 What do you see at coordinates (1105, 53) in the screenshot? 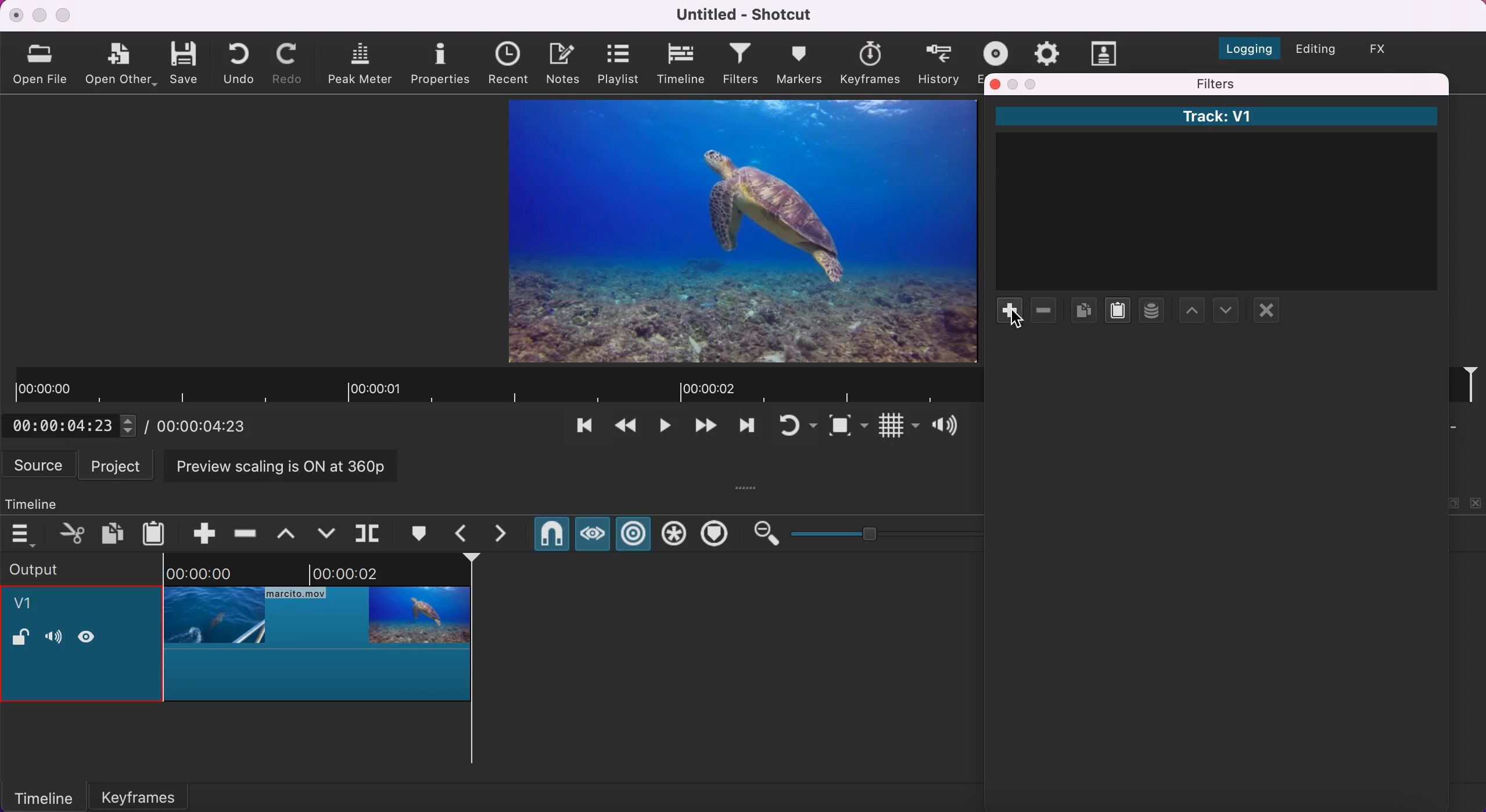
I see `subtitles` at bounding box center [1105, 53].